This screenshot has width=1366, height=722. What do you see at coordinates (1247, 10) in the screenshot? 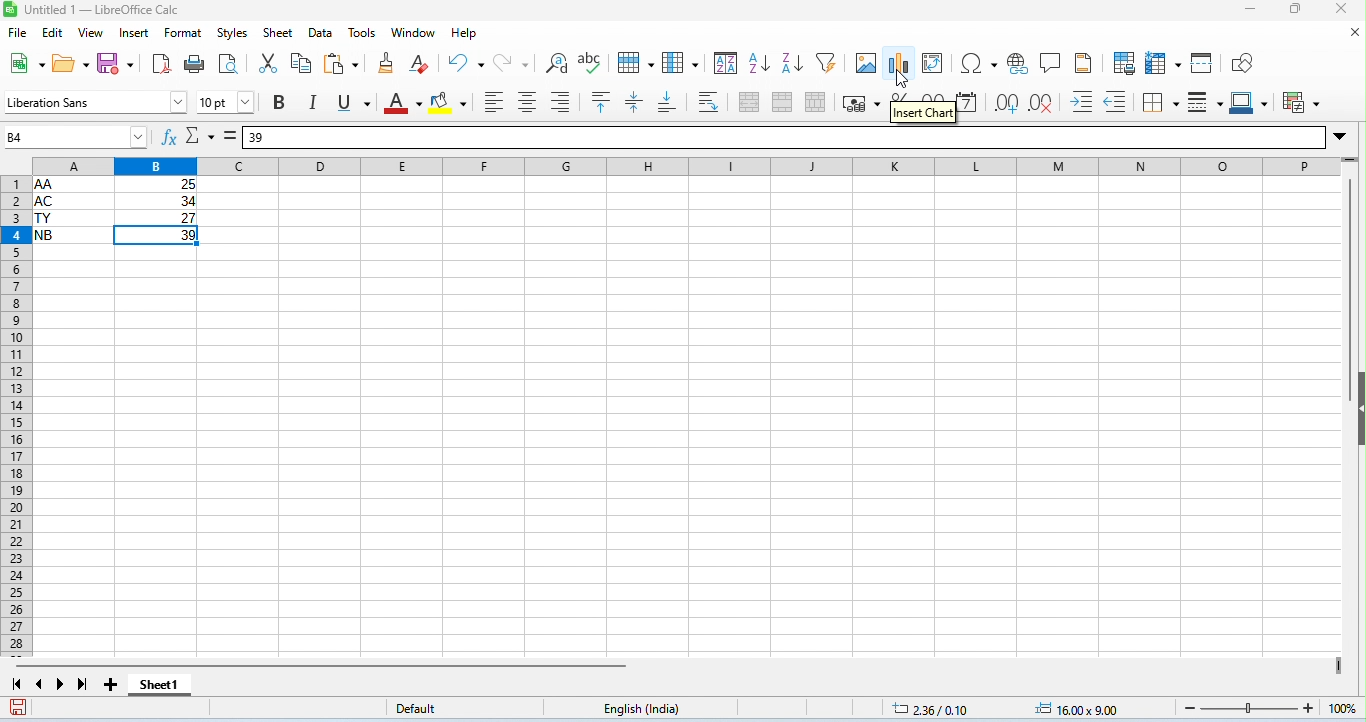
I see `minimize` at bounding box center [1247, 10].